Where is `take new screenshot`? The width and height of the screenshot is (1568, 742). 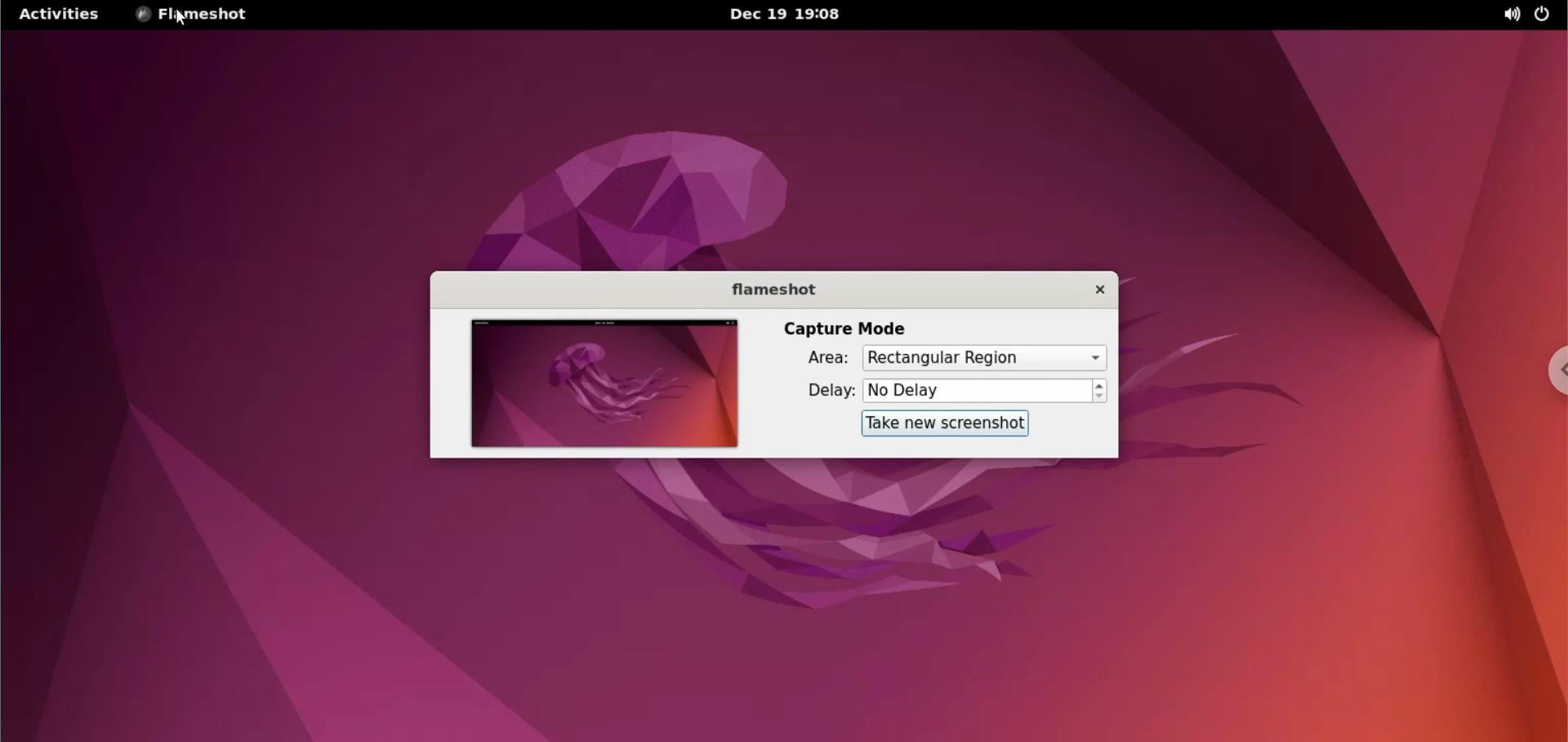
take new screenshot is located at coordinates (948, 422).